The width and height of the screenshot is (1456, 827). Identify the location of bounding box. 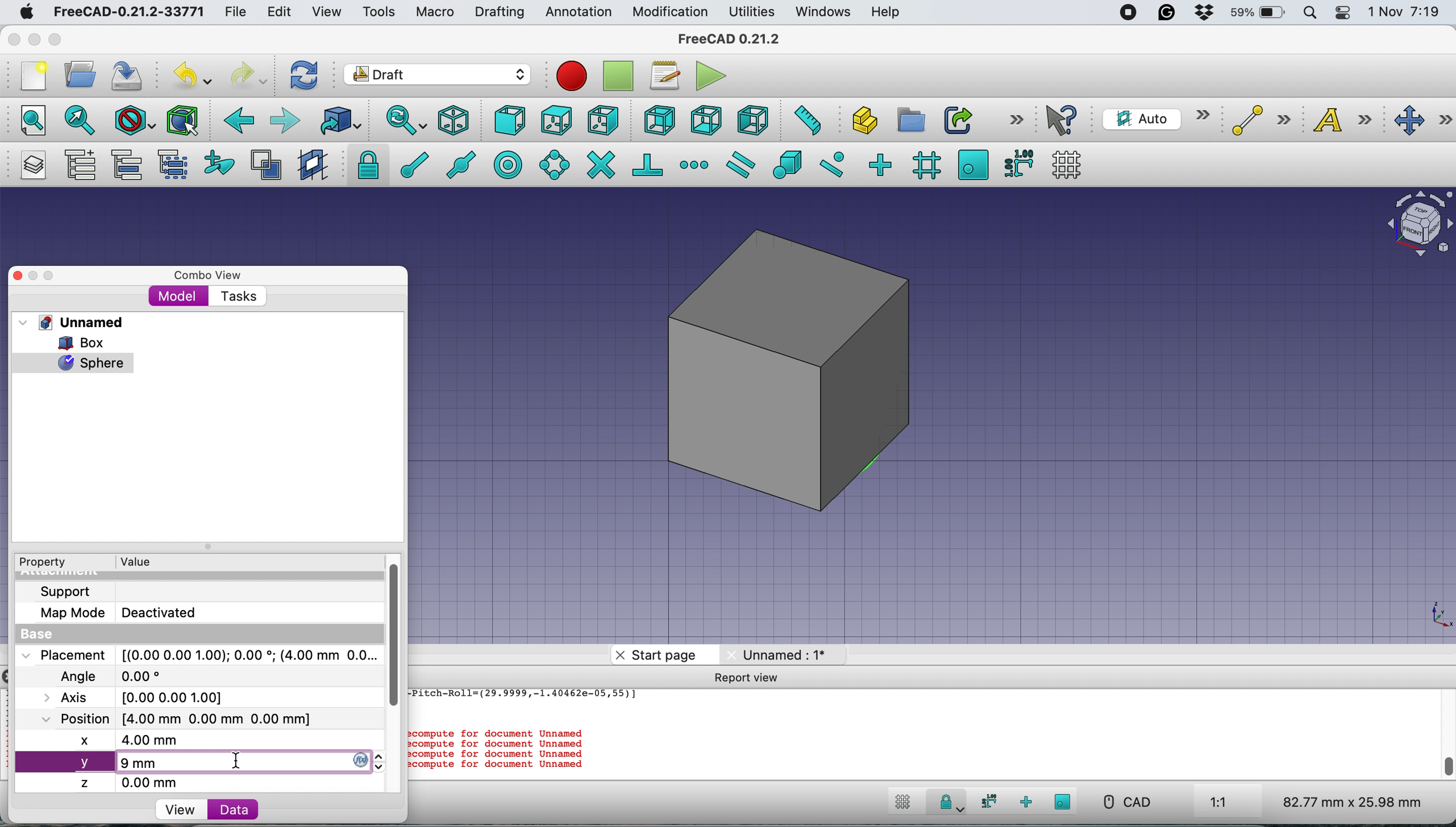
(181, 120).